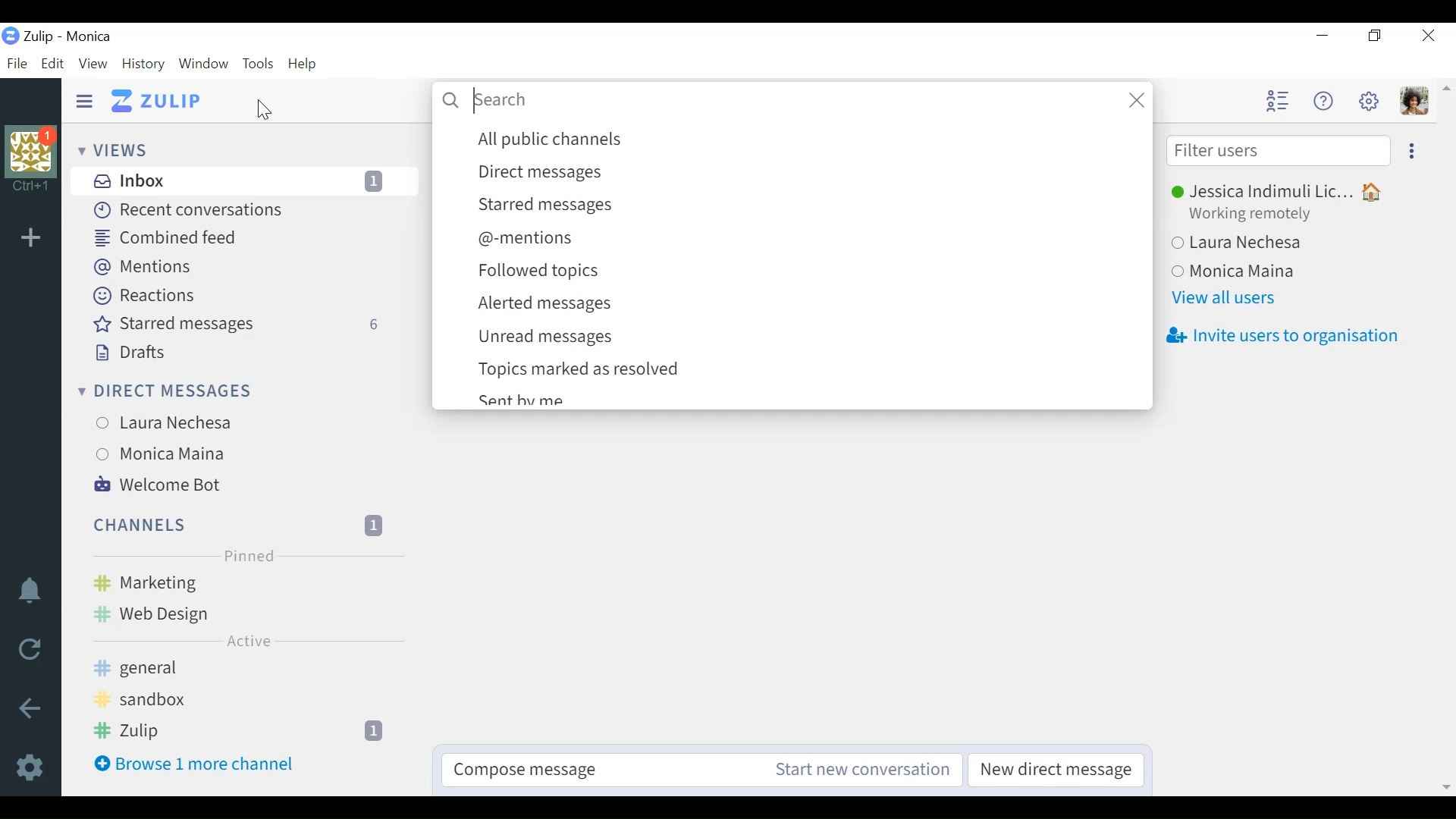  What do you see at coordinates (248, 557) in the screenshot?
I see `Pinned` at bounding box center [248, 557].